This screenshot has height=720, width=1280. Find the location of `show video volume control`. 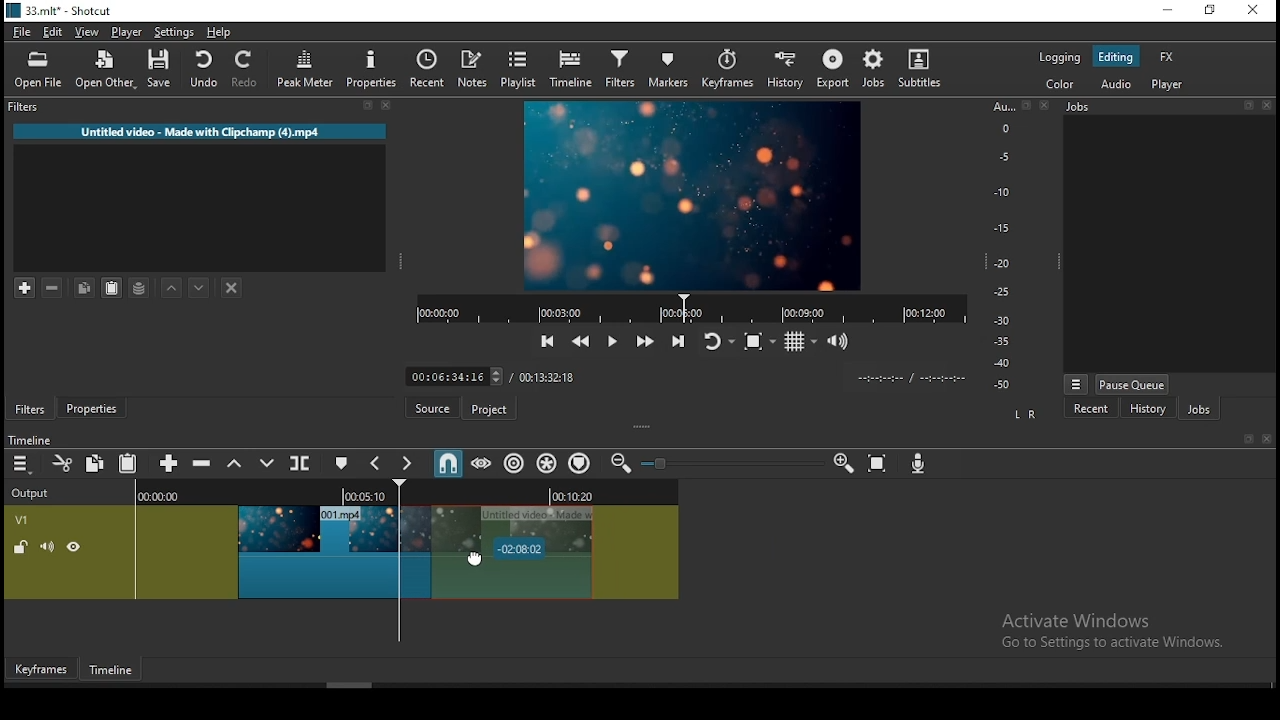

show video volume control is located at coordinates (839, 335).